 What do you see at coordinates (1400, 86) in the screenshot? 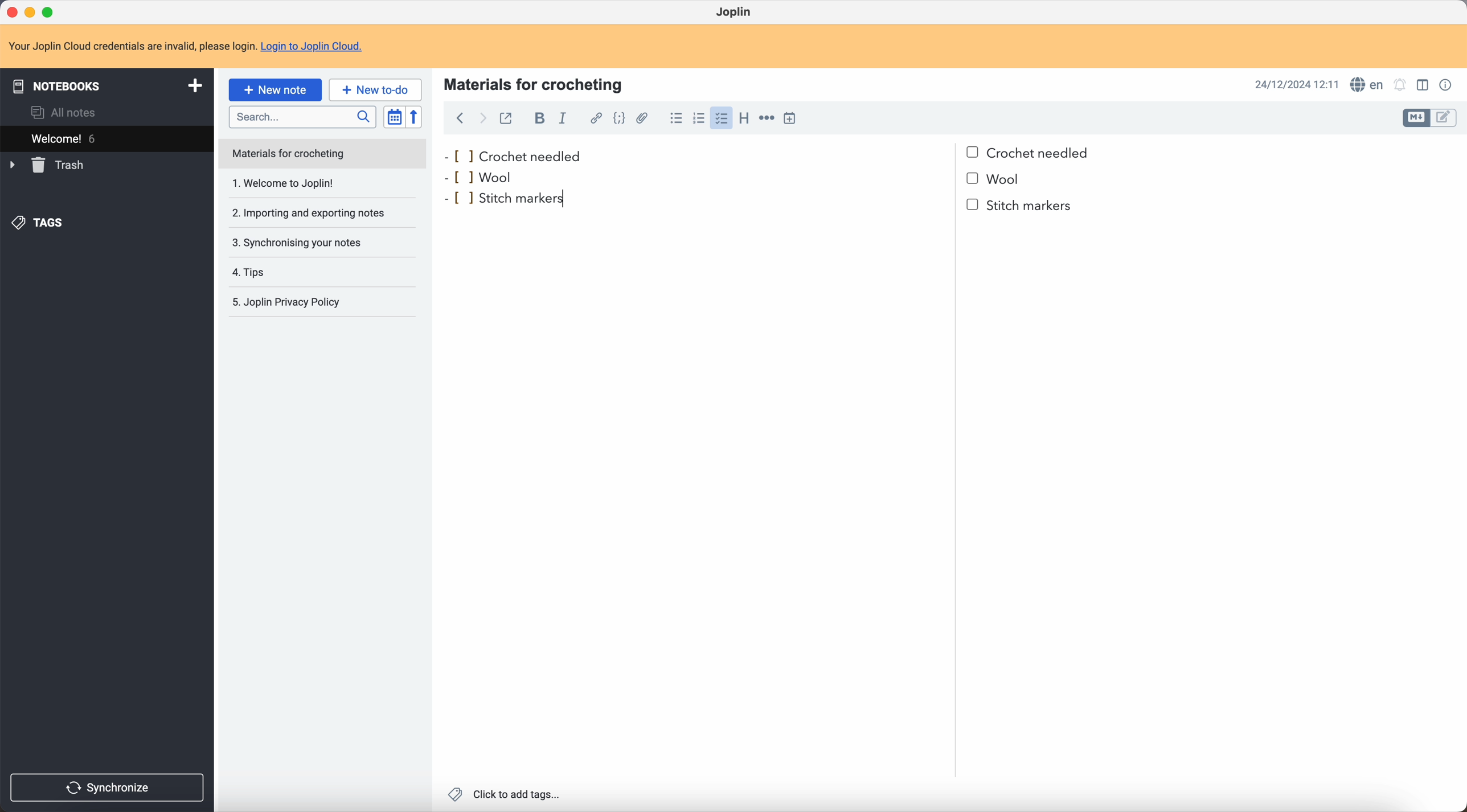
I see `set notificatins` at bounding box center [1400, 86].